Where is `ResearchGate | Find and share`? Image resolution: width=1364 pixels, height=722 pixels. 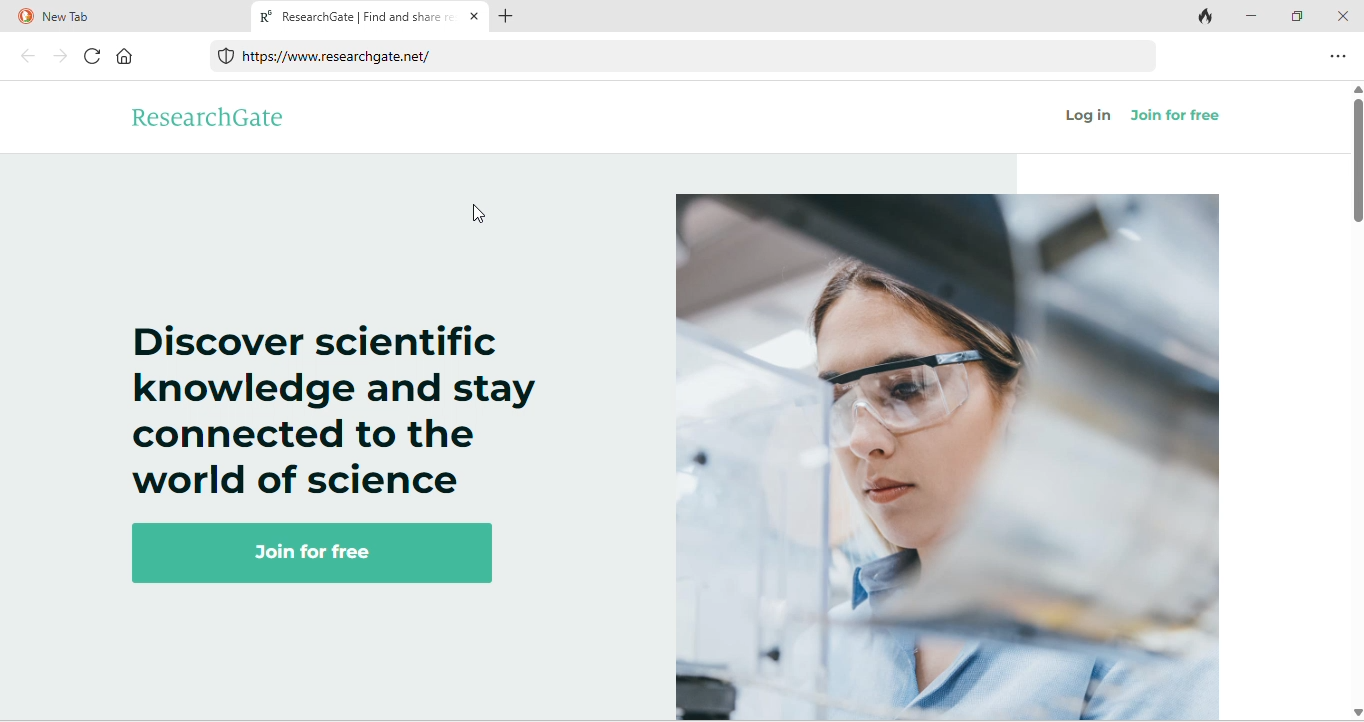
ResearchGate | Find and share is located at coordinates (353, 19).